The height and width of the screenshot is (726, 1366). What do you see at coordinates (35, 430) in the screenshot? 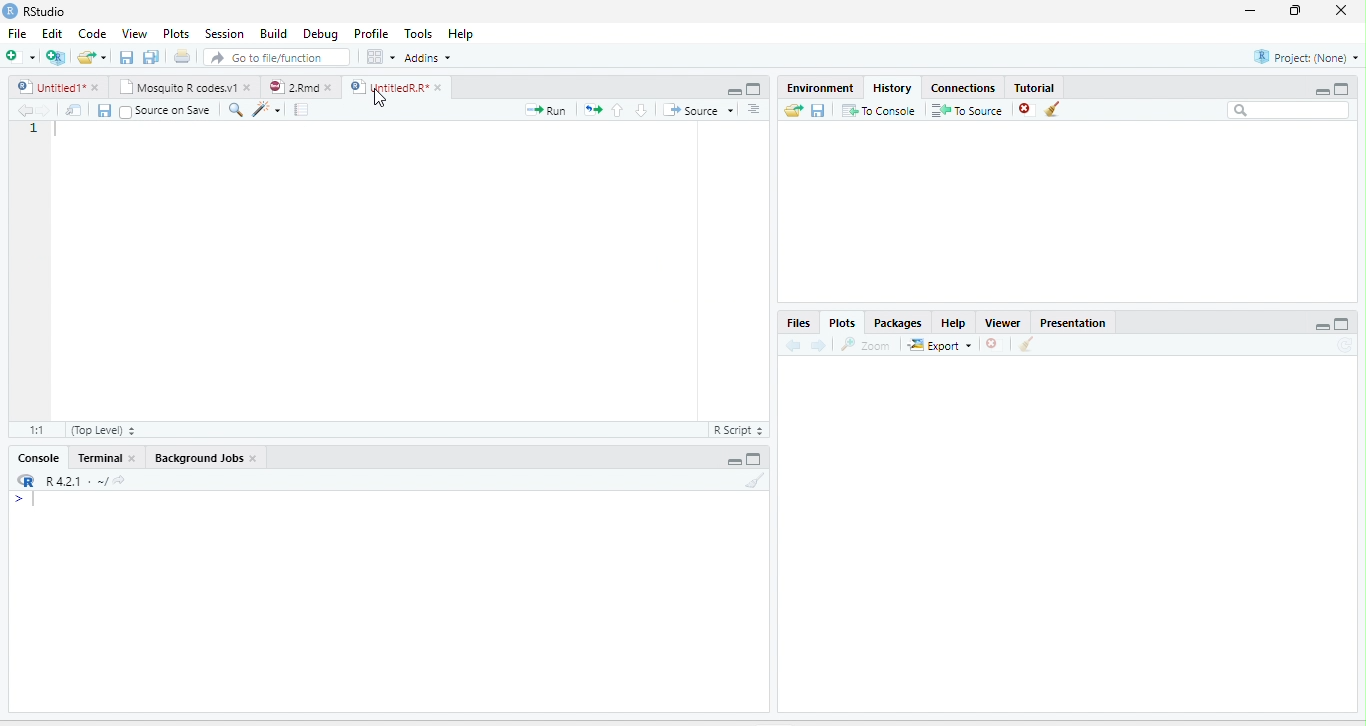
I see `1:1` at bounding box center [35, 430].